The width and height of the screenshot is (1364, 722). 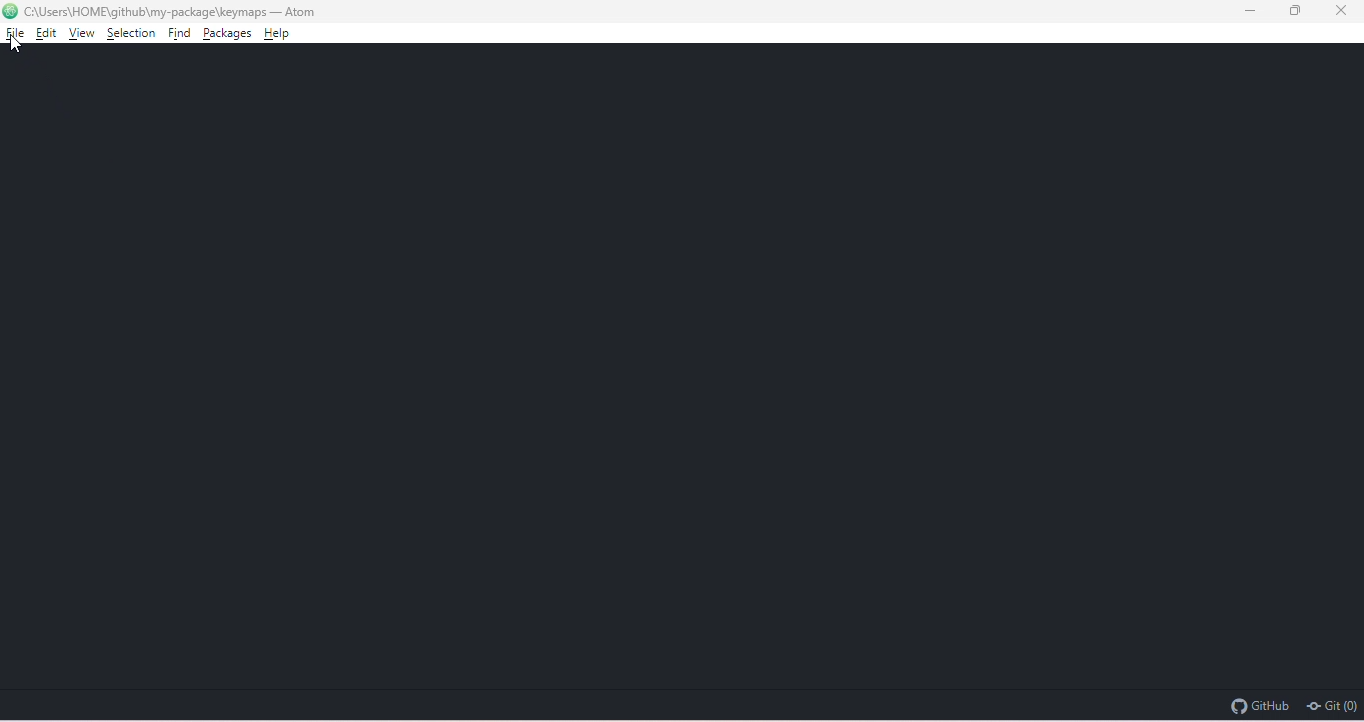 What do you see at coordinates (230, 34) in the screenshot?
I see `packages` at bounding box center [230, 34].